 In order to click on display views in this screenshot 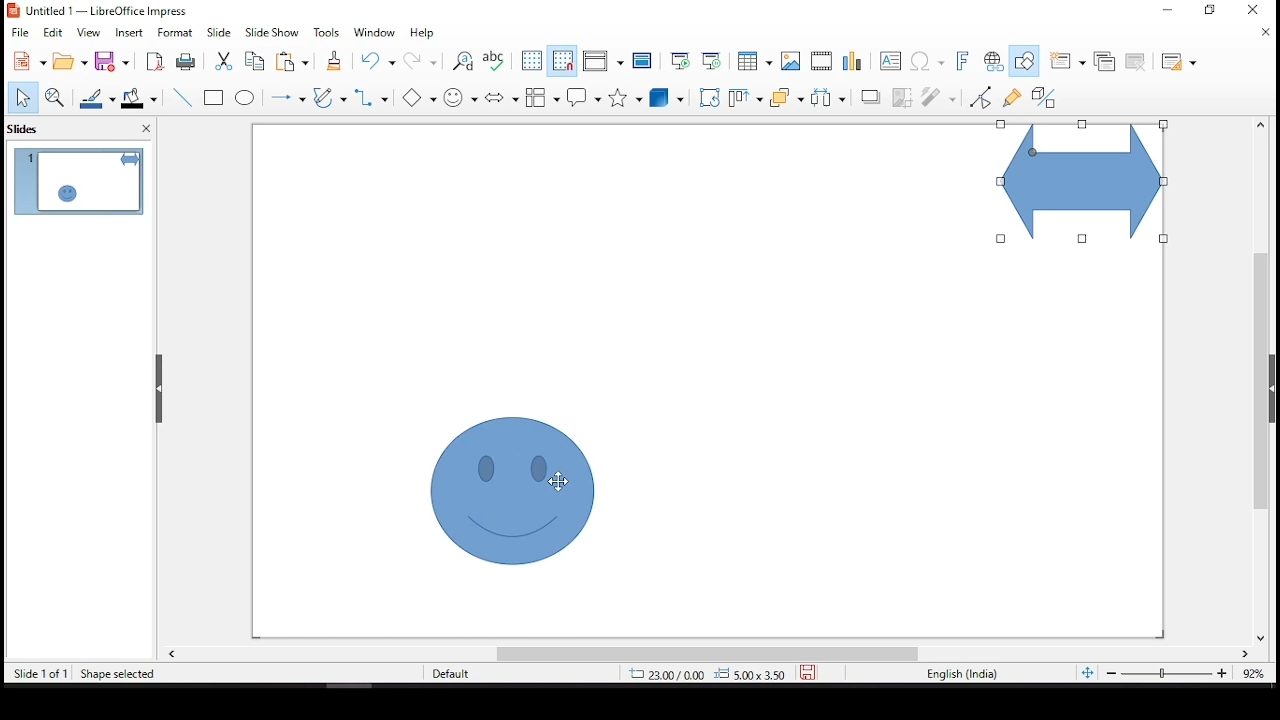, I will do `click(603, 62)`.